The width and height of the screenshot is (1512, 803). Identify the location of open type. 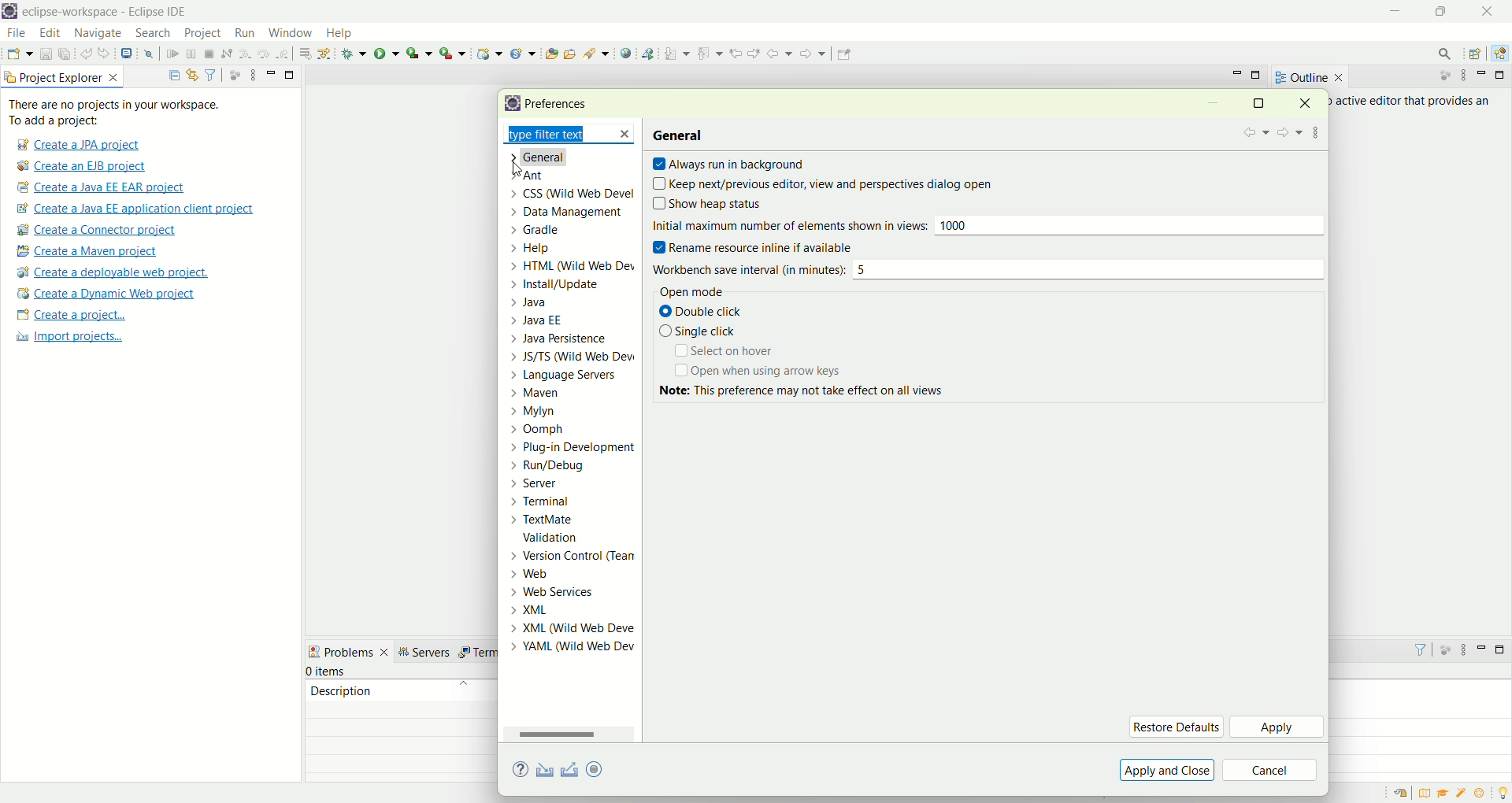
(550, 53).